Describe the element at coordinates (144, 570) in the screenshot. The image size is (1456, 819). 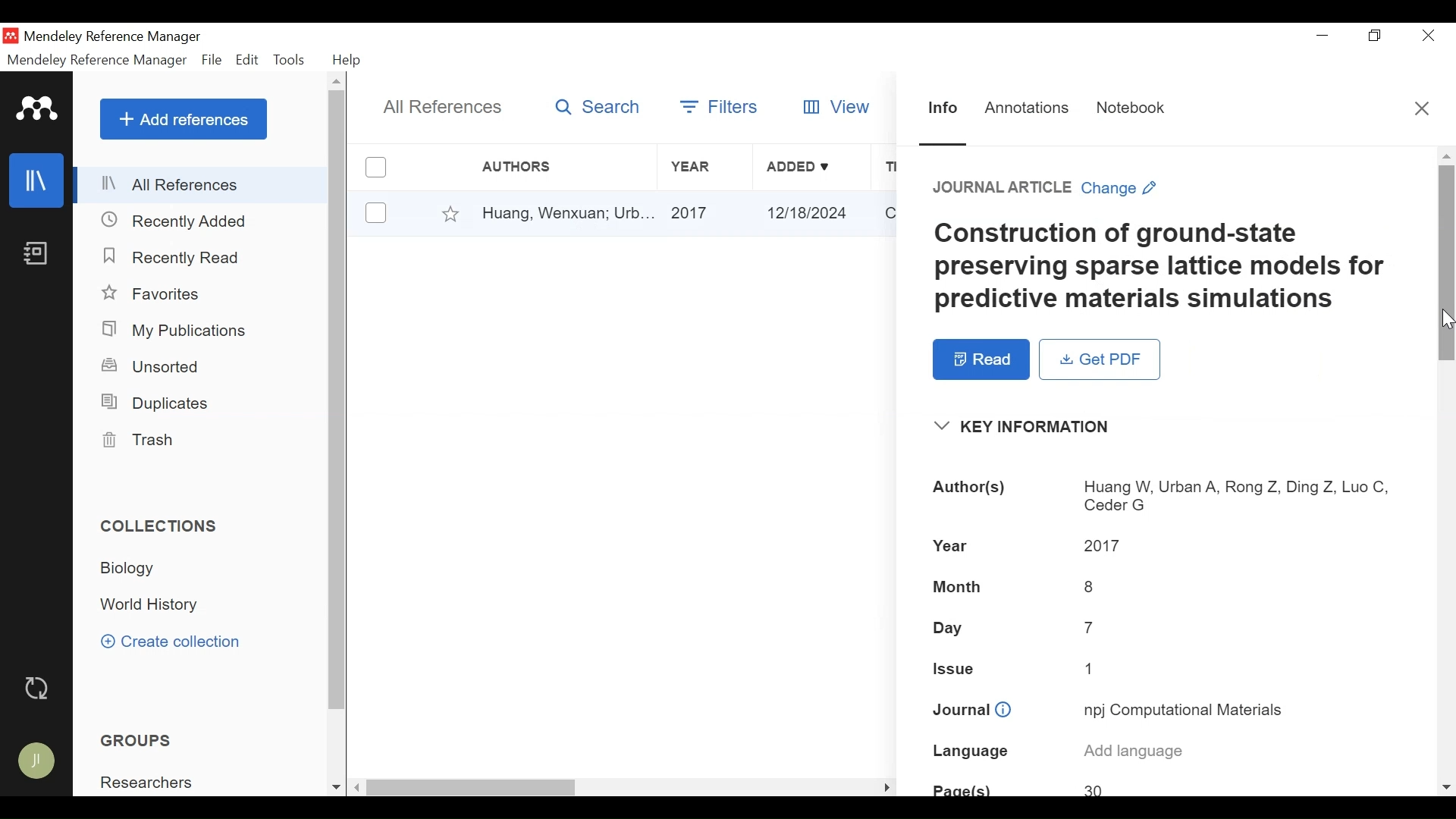
I see `Collection` at that location.